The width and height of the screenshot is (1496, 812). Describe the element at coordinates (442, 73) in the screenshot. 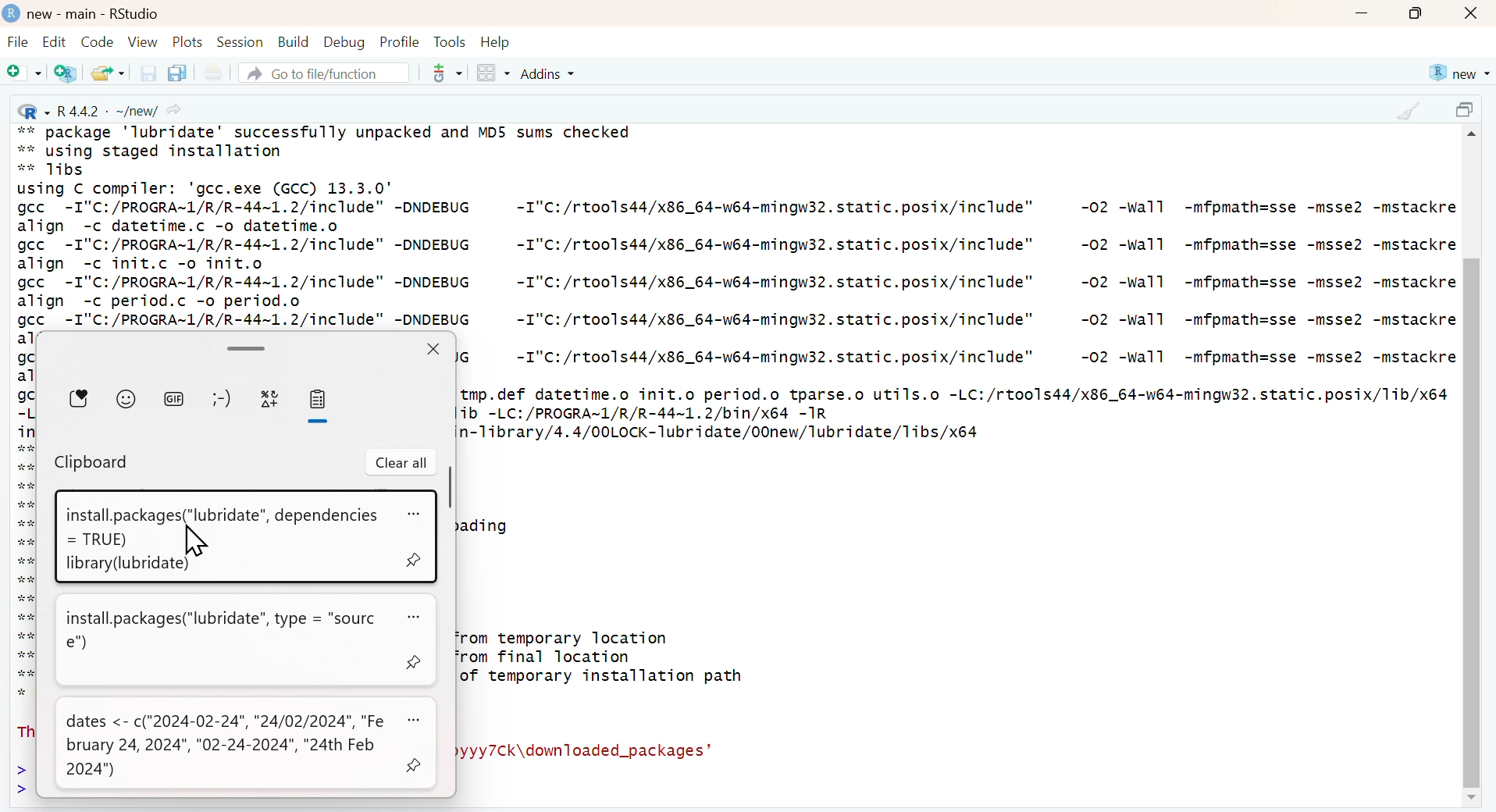

I see `more options` at that location.